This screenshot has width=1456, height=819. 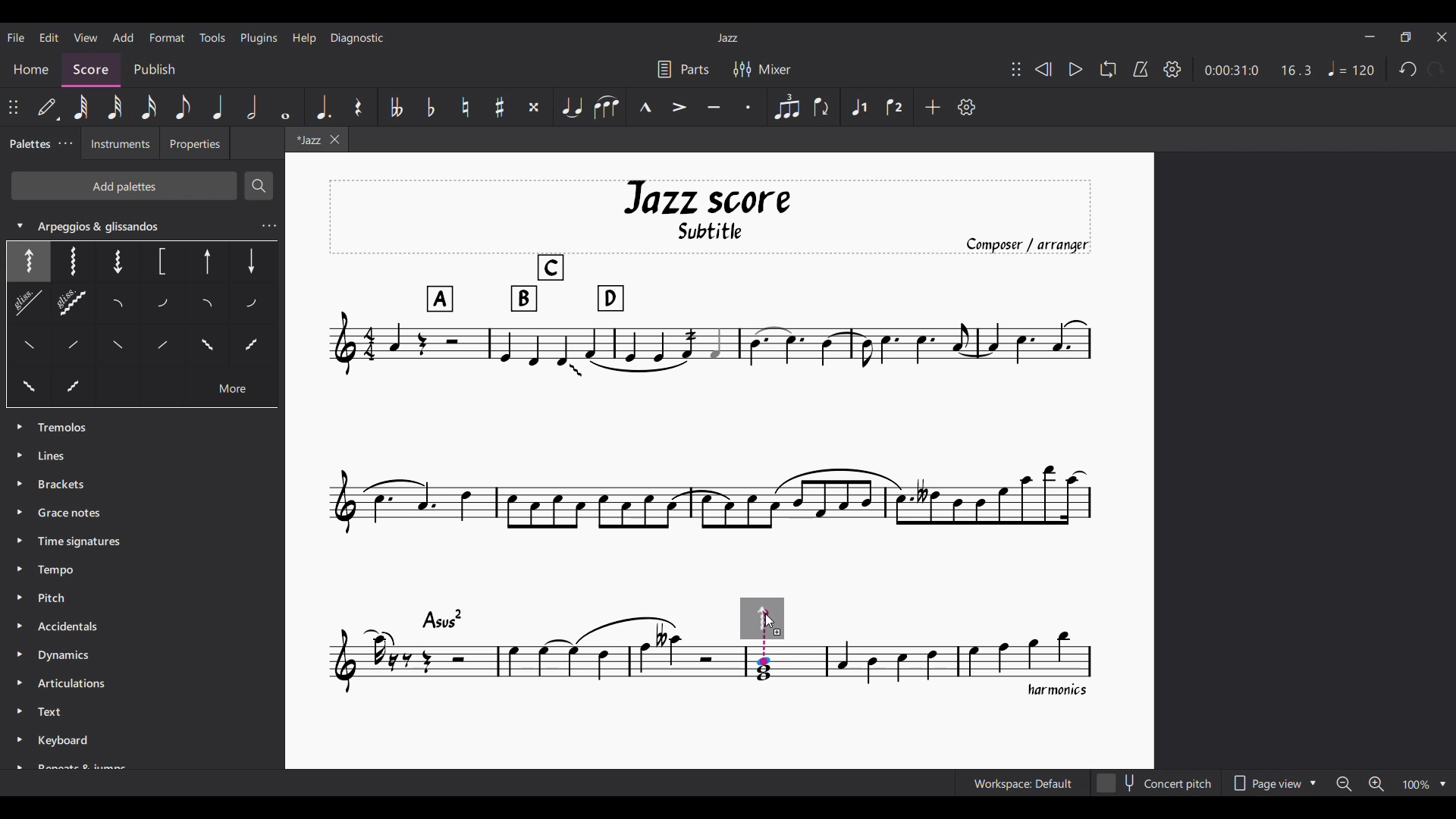 What do you see at coordinates (49, 37) in the screenshot?
I see `Edit menu` at bounding box center [49, 37].